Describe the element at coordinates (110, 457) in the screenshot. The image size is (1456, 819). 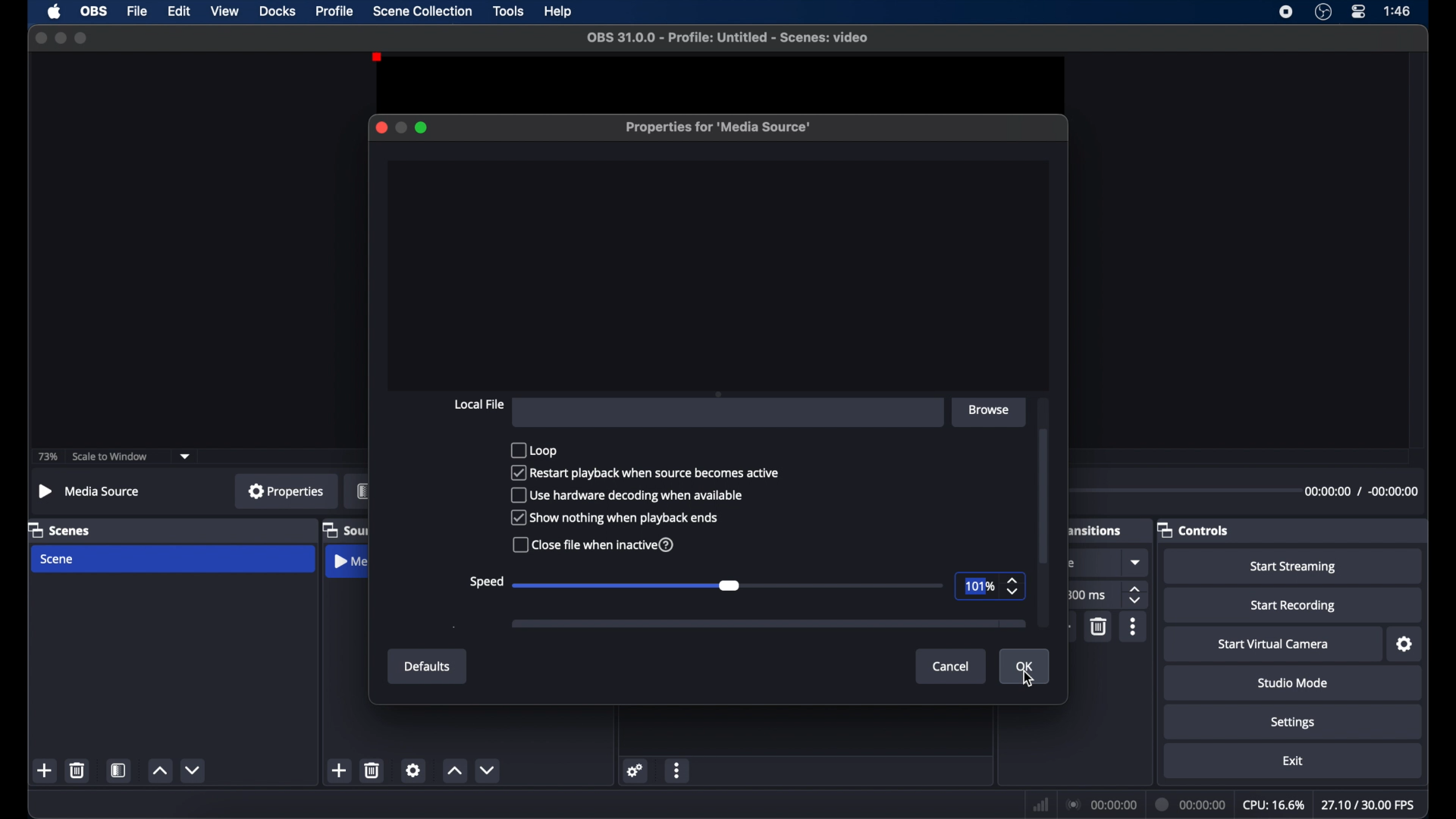
I see `scale to window` at that location.